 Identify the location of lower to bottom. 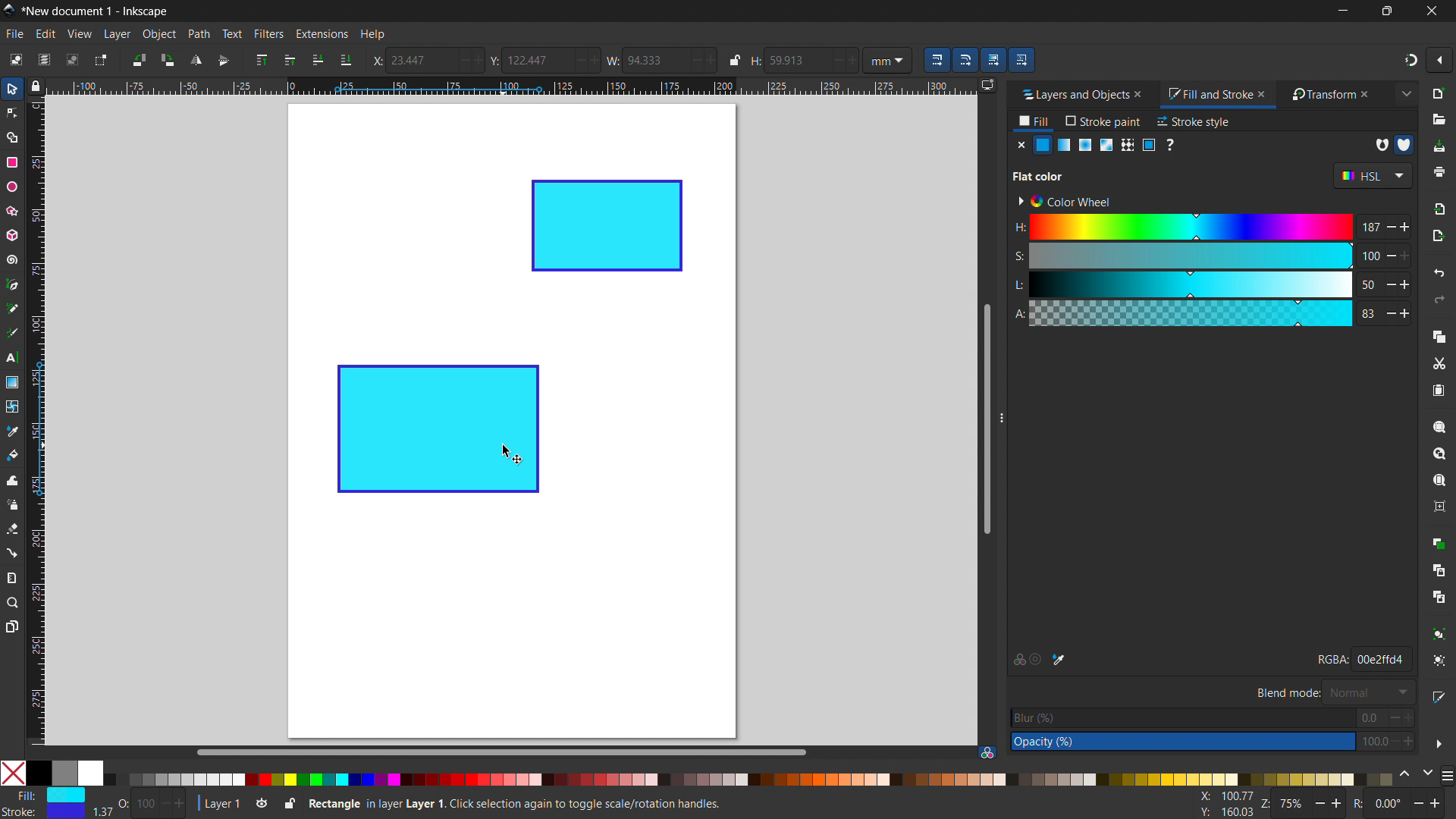
(346, 61).